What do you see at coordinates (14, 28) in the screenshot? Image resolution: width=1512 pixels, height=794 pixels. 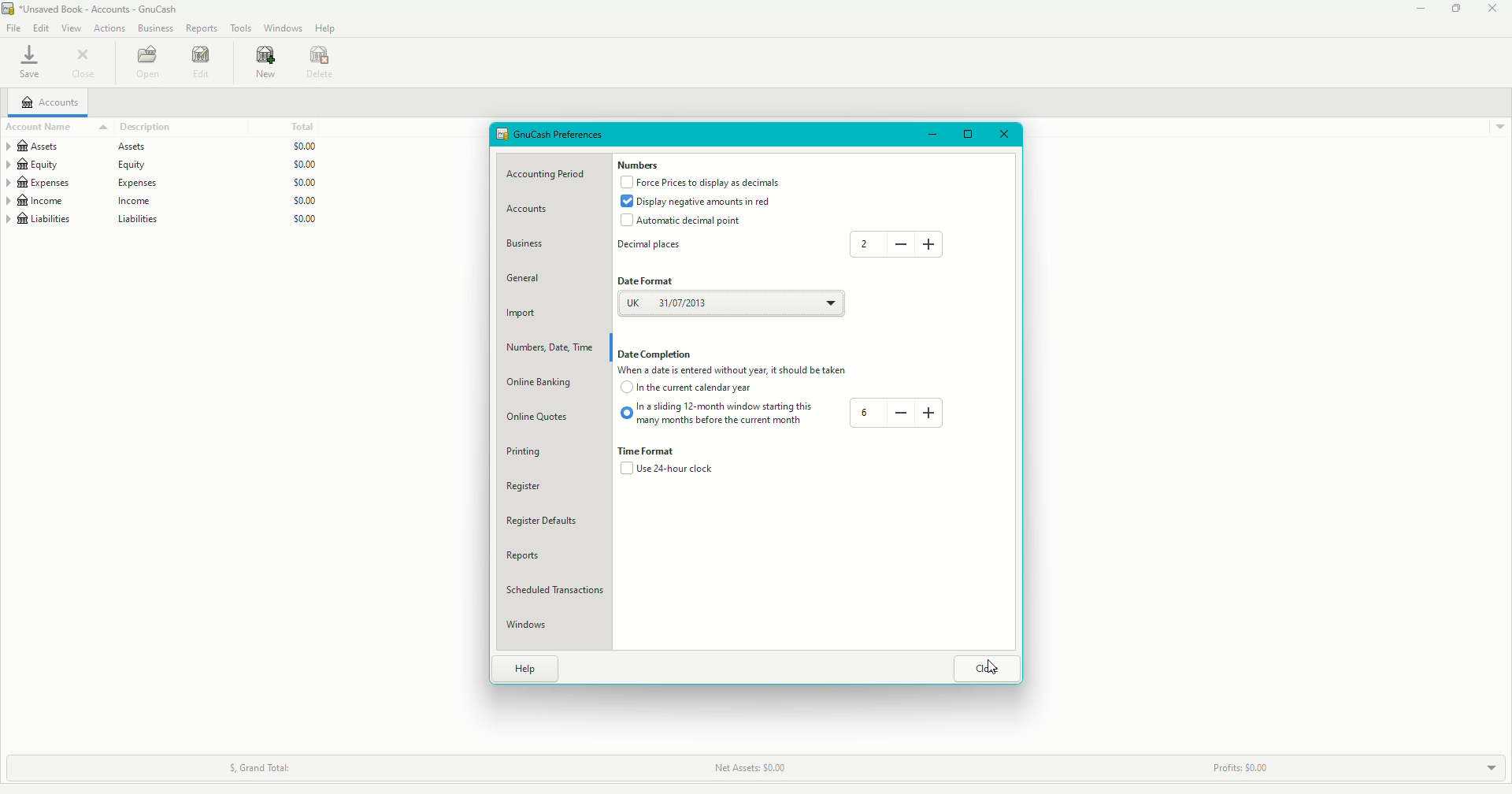 I see `File` at bounding box center [14, 28].